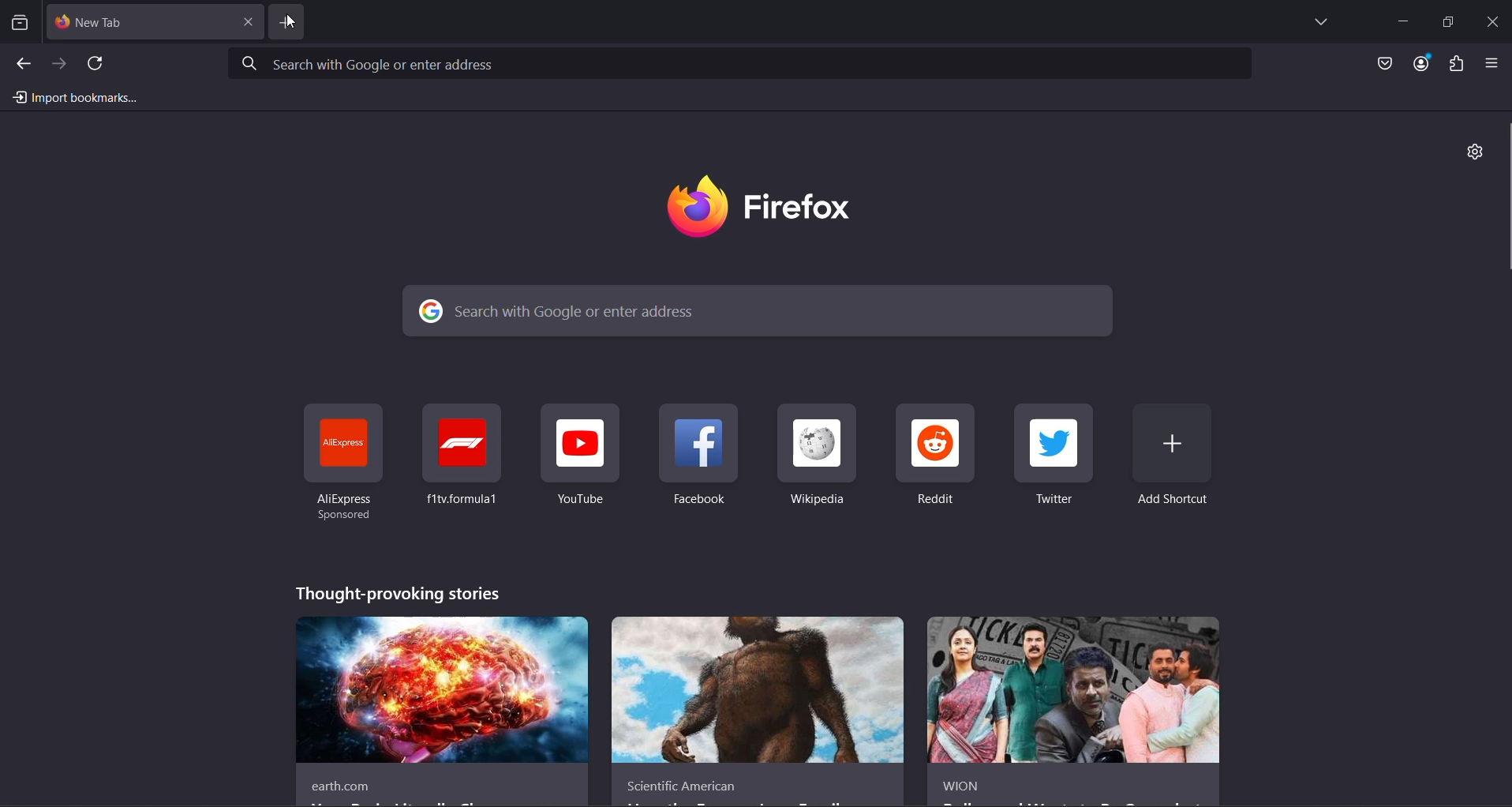  I want to click on shortcut, so click(579, 456).